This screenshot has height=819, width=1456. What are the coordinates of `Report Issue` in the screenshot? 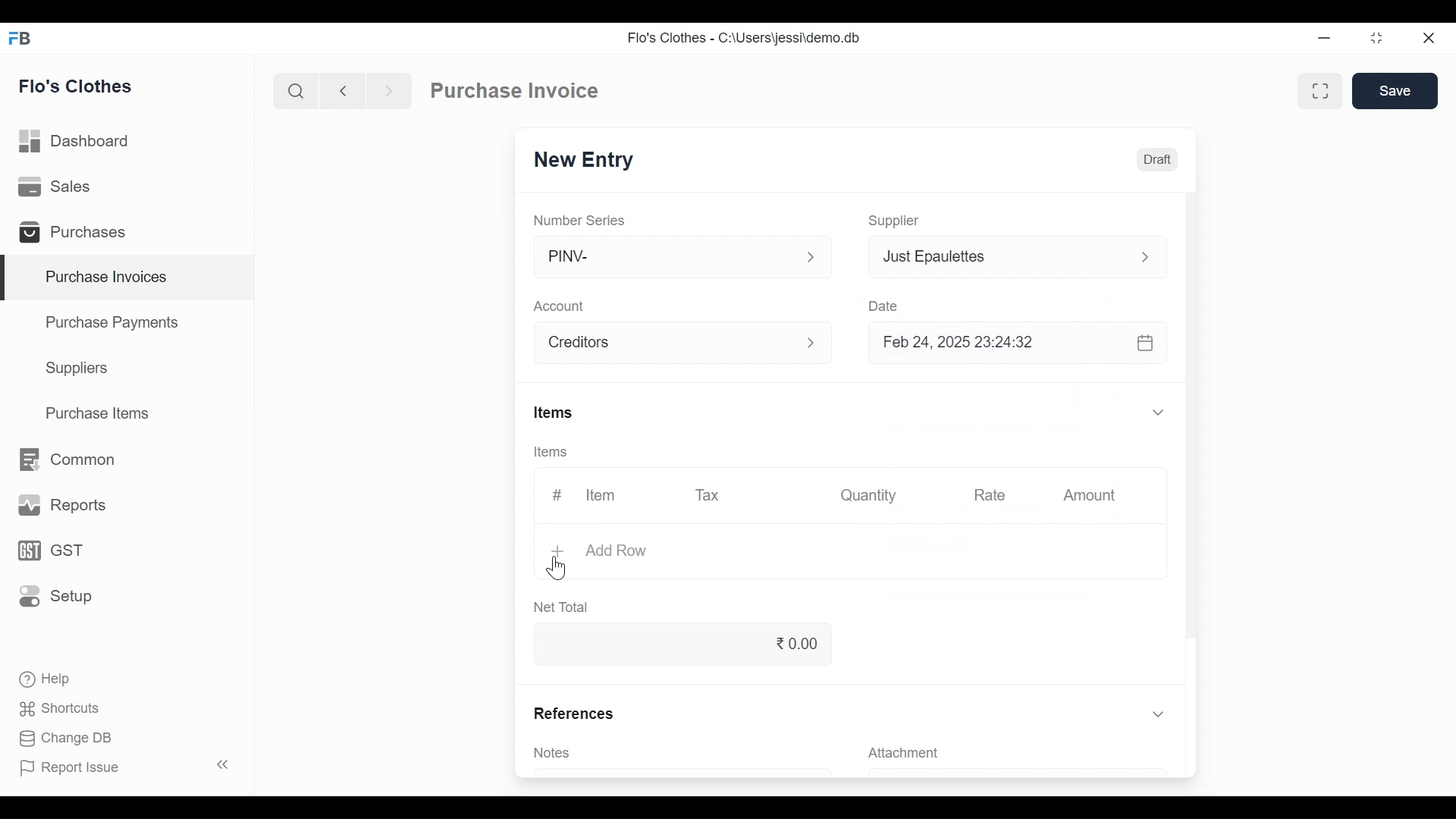 It's located at (126, 766).